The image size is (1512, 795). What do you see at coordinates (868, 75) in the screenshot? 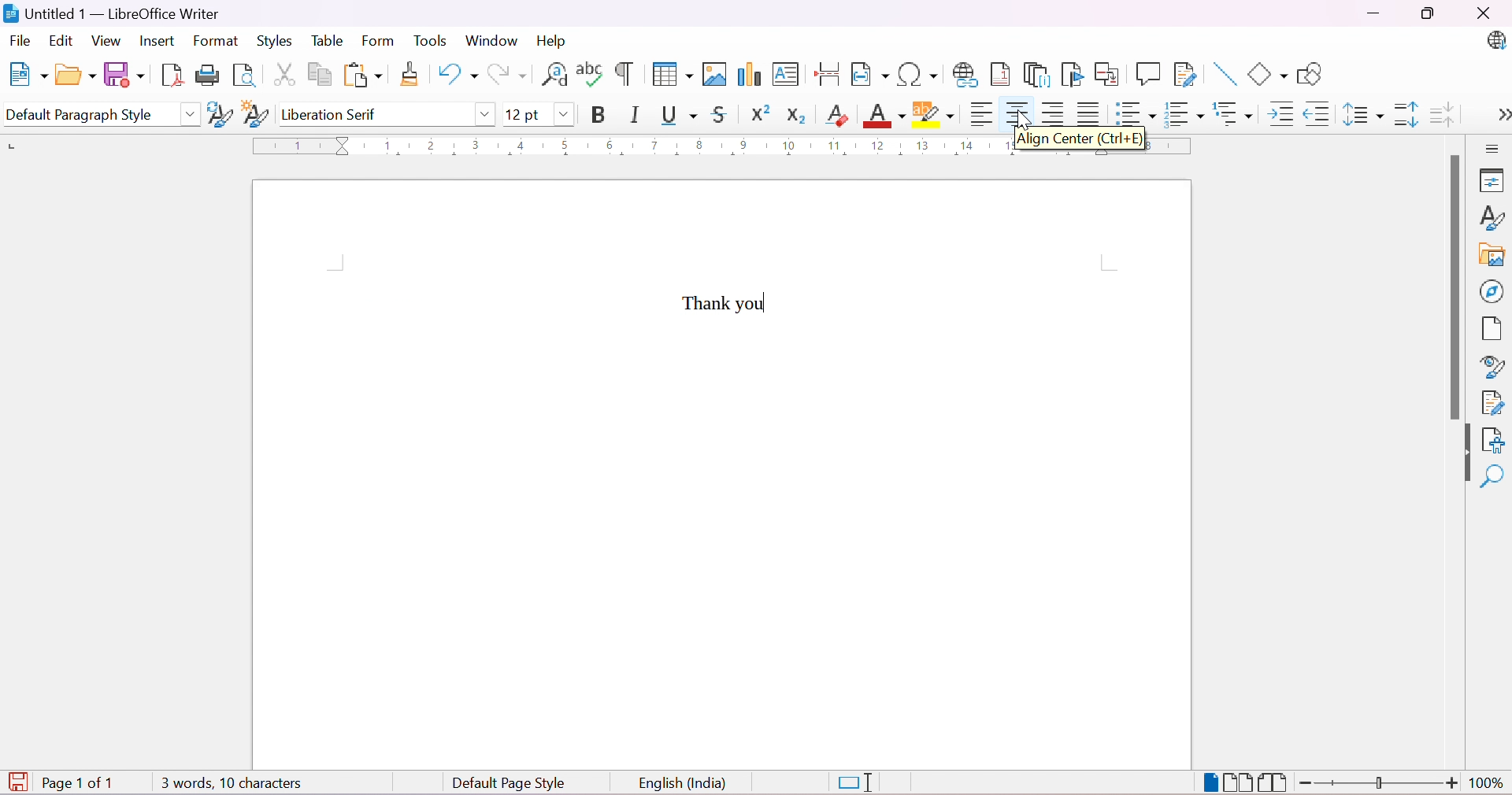
I see `Insert Field` at bounding box center [868, 75].